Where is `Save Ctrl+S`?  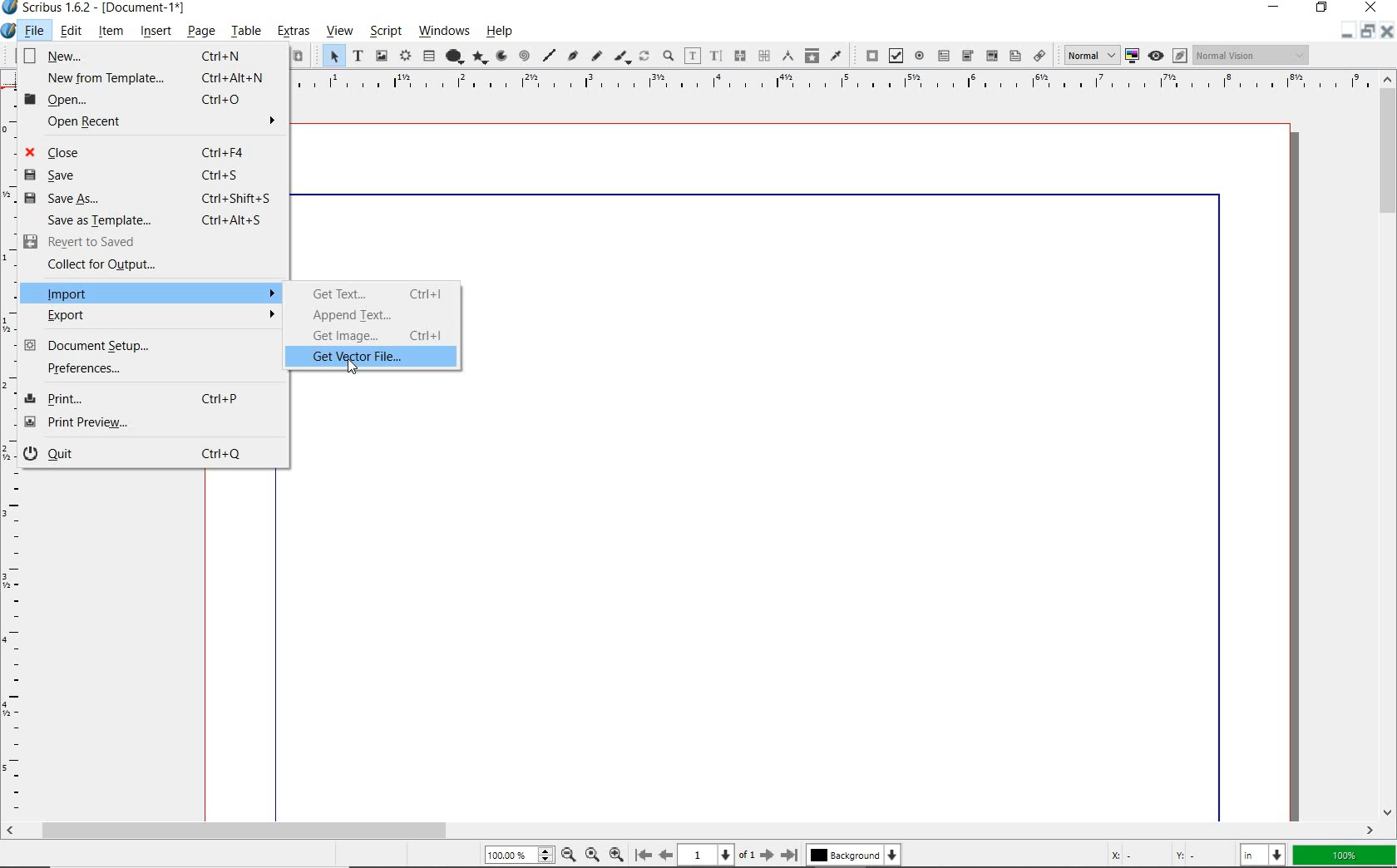
Save Ctrl+S is located at coordinates (152, 175).